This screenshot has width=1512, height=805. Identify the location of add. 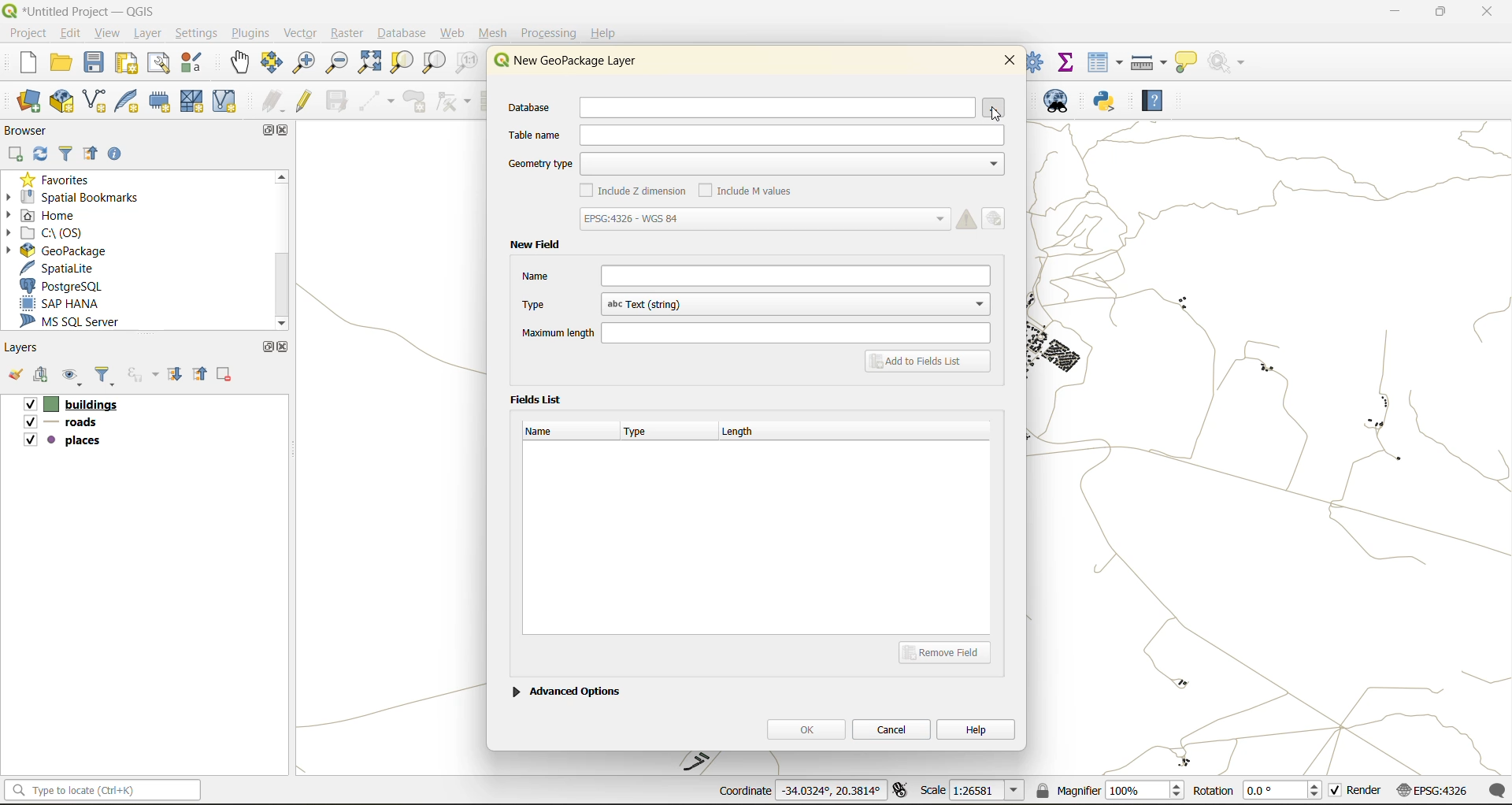
(17, 154).